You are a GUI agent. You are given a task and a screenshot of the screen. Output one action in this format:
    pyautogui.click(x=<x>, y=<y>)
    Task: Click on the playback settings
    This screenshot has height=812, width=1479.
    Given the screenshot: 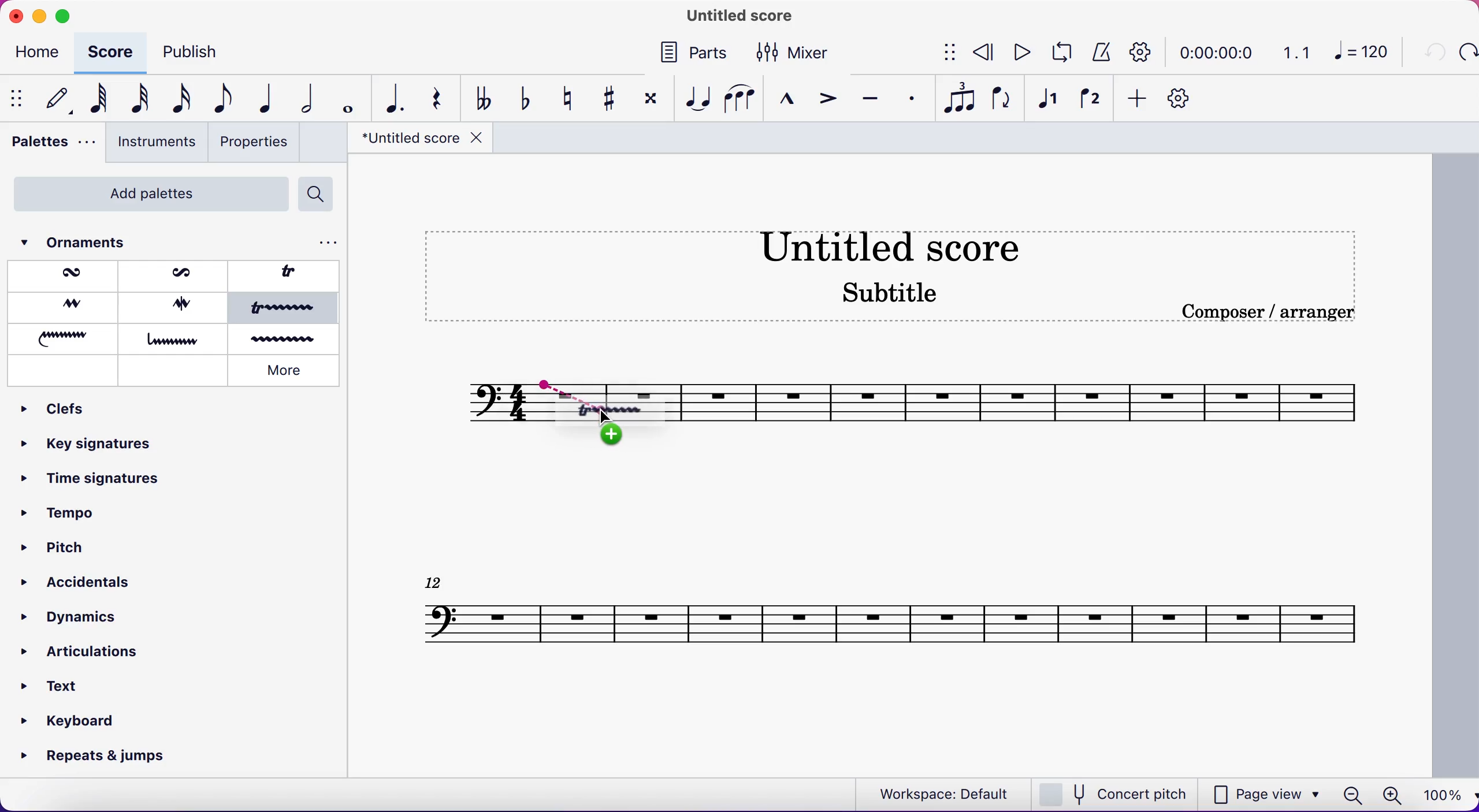 What is the action you would take?
    pyautogui.click(x=1145, y=51)
    